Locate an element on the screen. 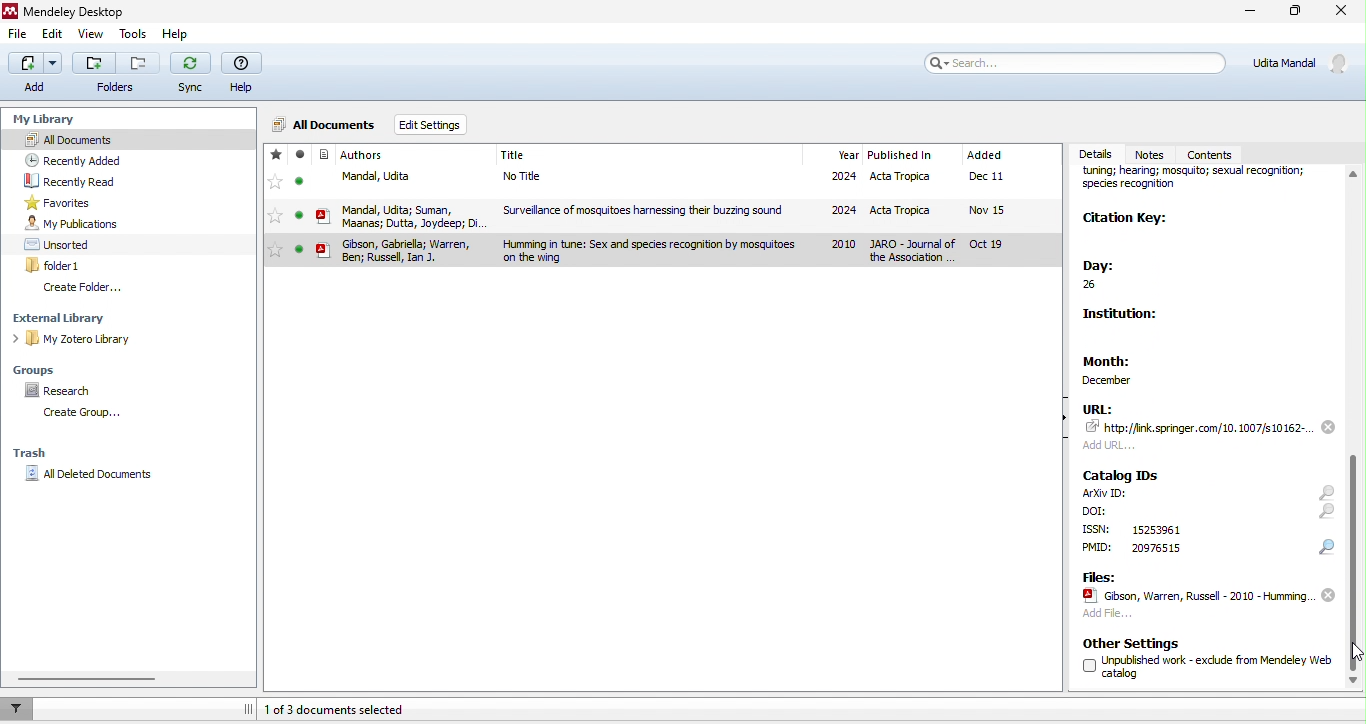 The image size is (1366, 724).  is located at coordinates (116, 72).